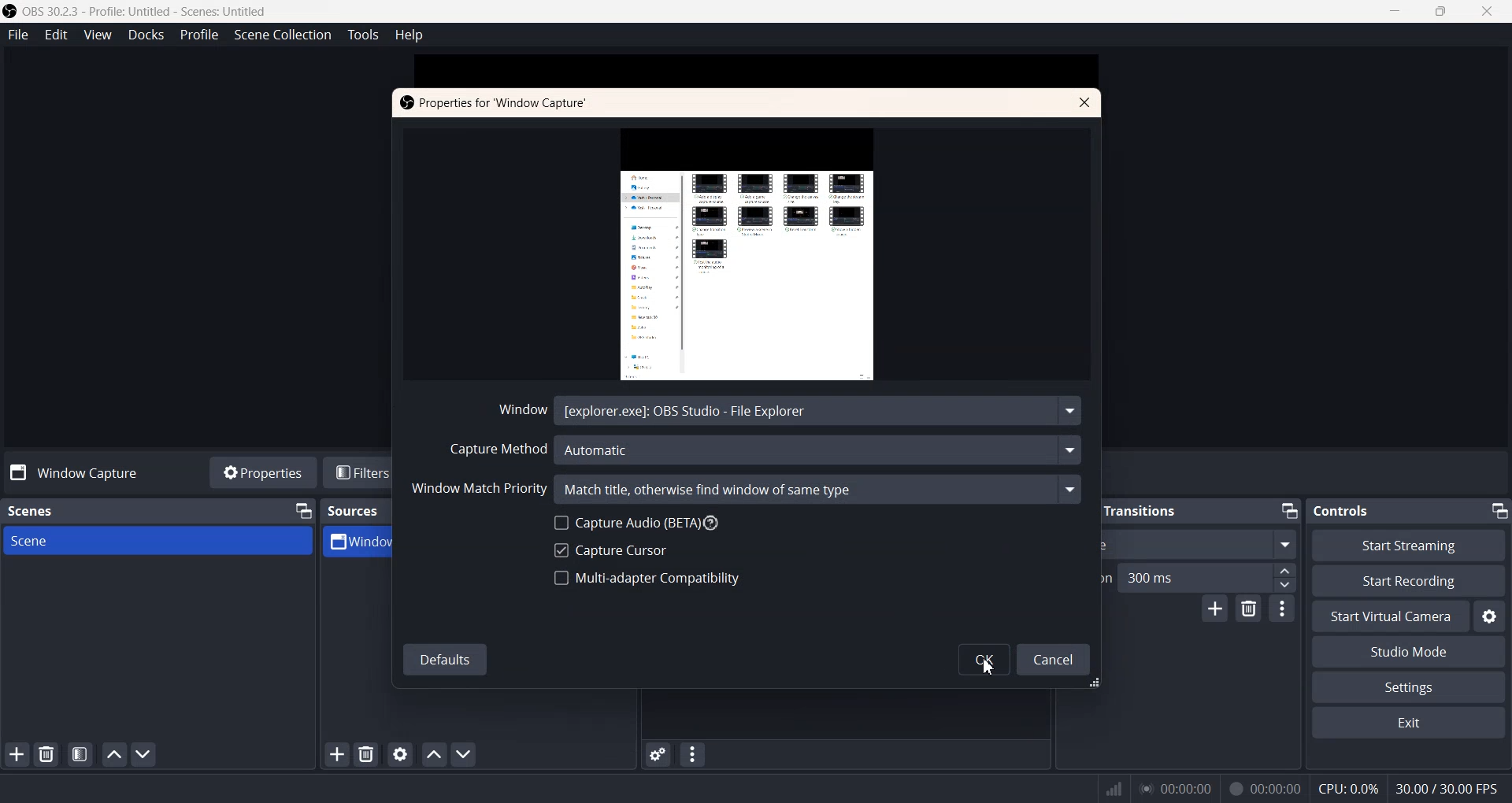  I want to click on Move Scene Down, so click(143, 753).